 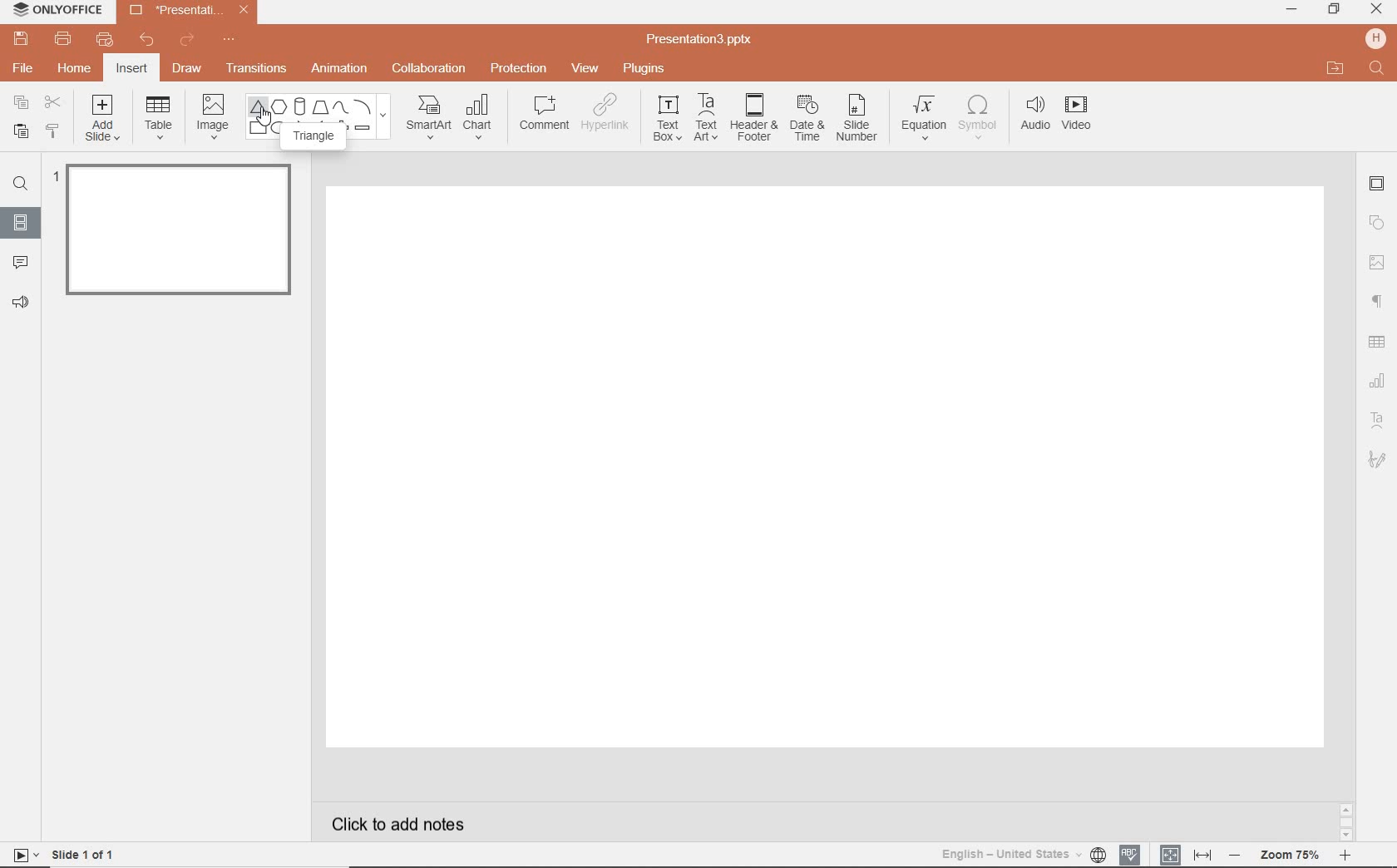 What do you see at coordinates (858, 121) in the screenshot?
I see `SLIDE NUMBER` at bounding box center [858, 121].